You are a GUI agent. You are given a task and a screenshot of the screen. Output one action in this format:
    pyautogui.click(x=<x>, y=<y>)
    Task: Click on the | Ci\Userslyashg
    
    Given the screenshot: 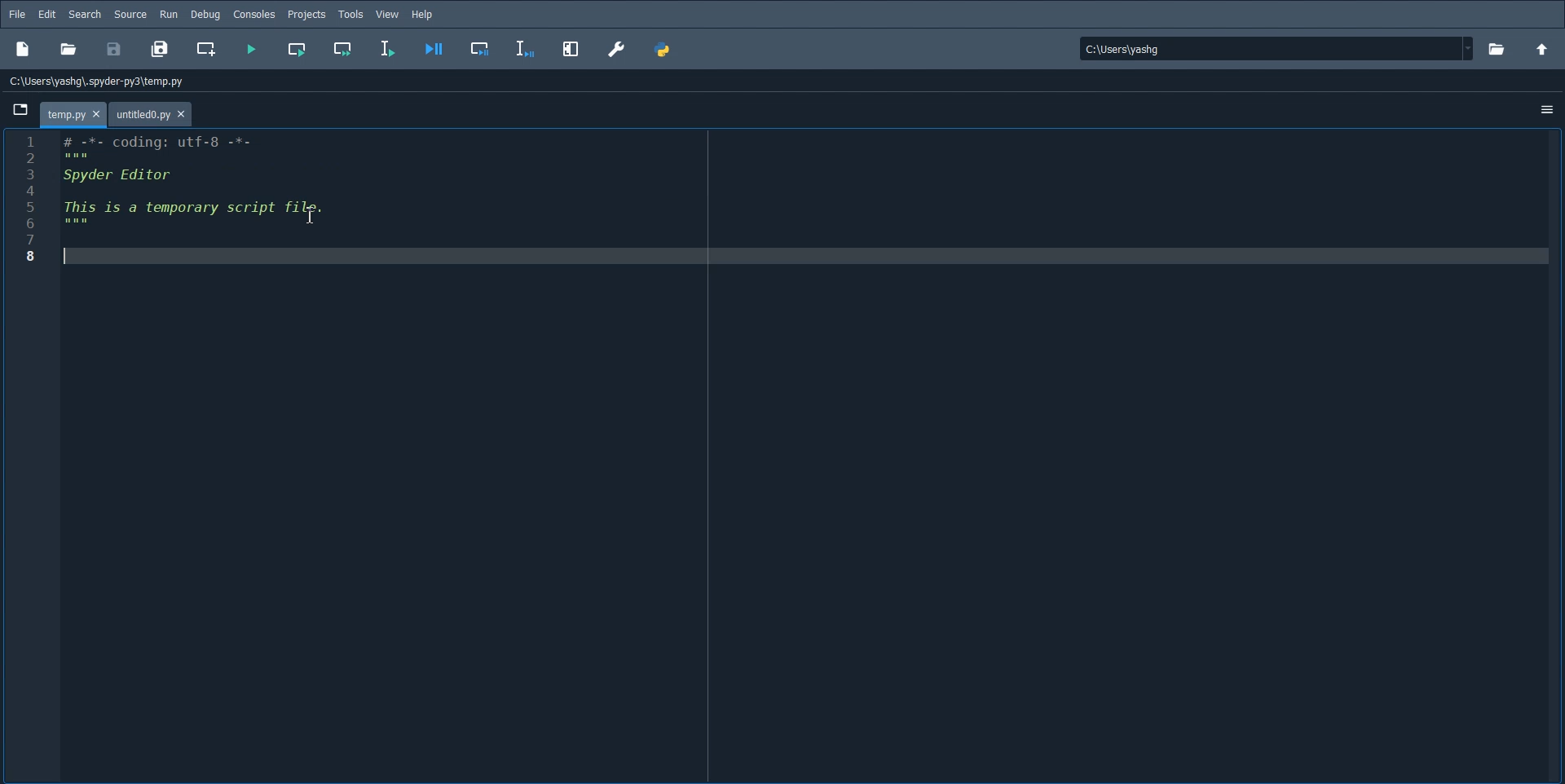 What is the action you would take?
    pyautogui.click(x=1133, y=51)
    